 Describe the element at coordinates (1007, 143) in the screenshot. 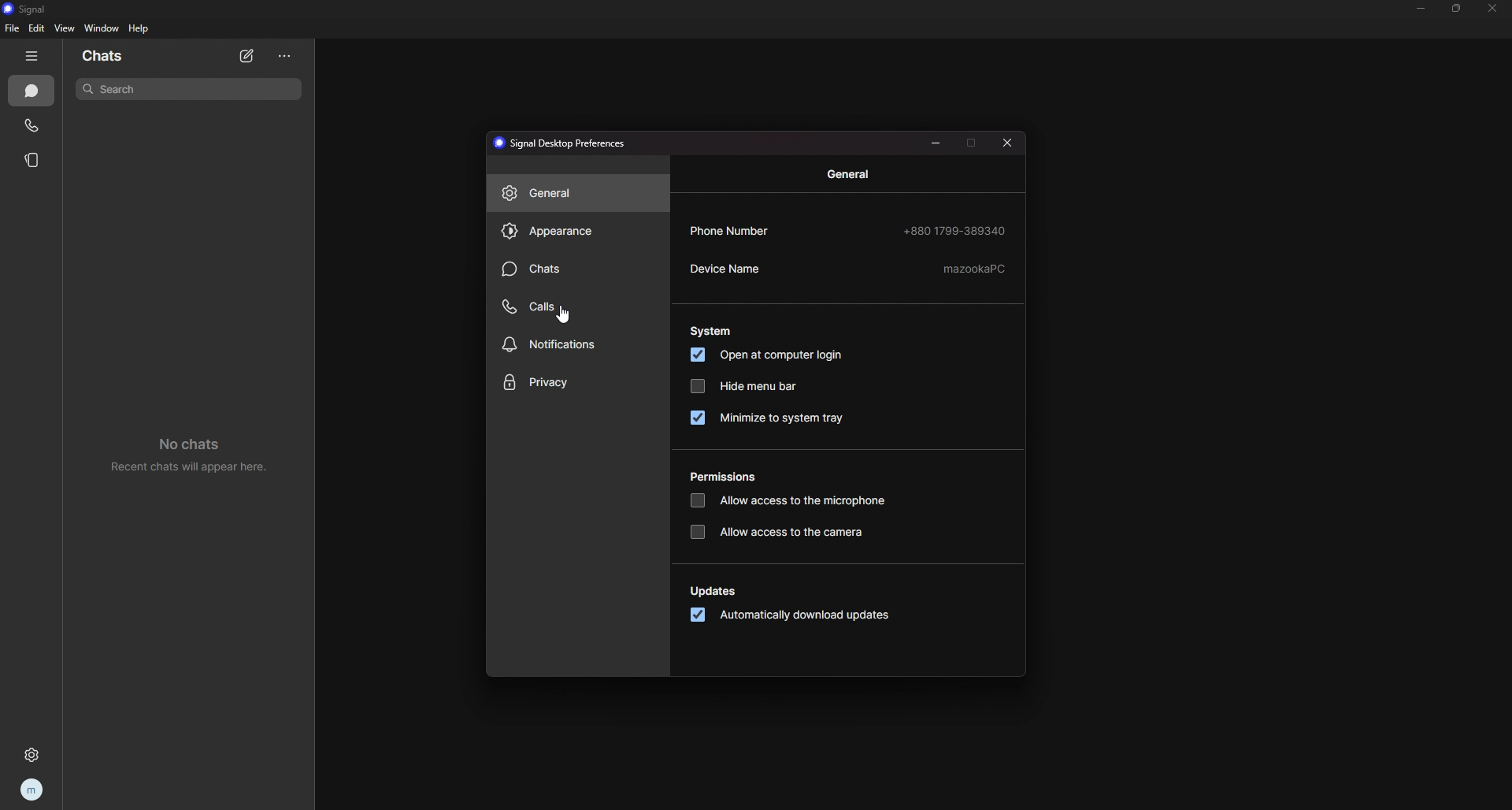

I see `close` at that location.